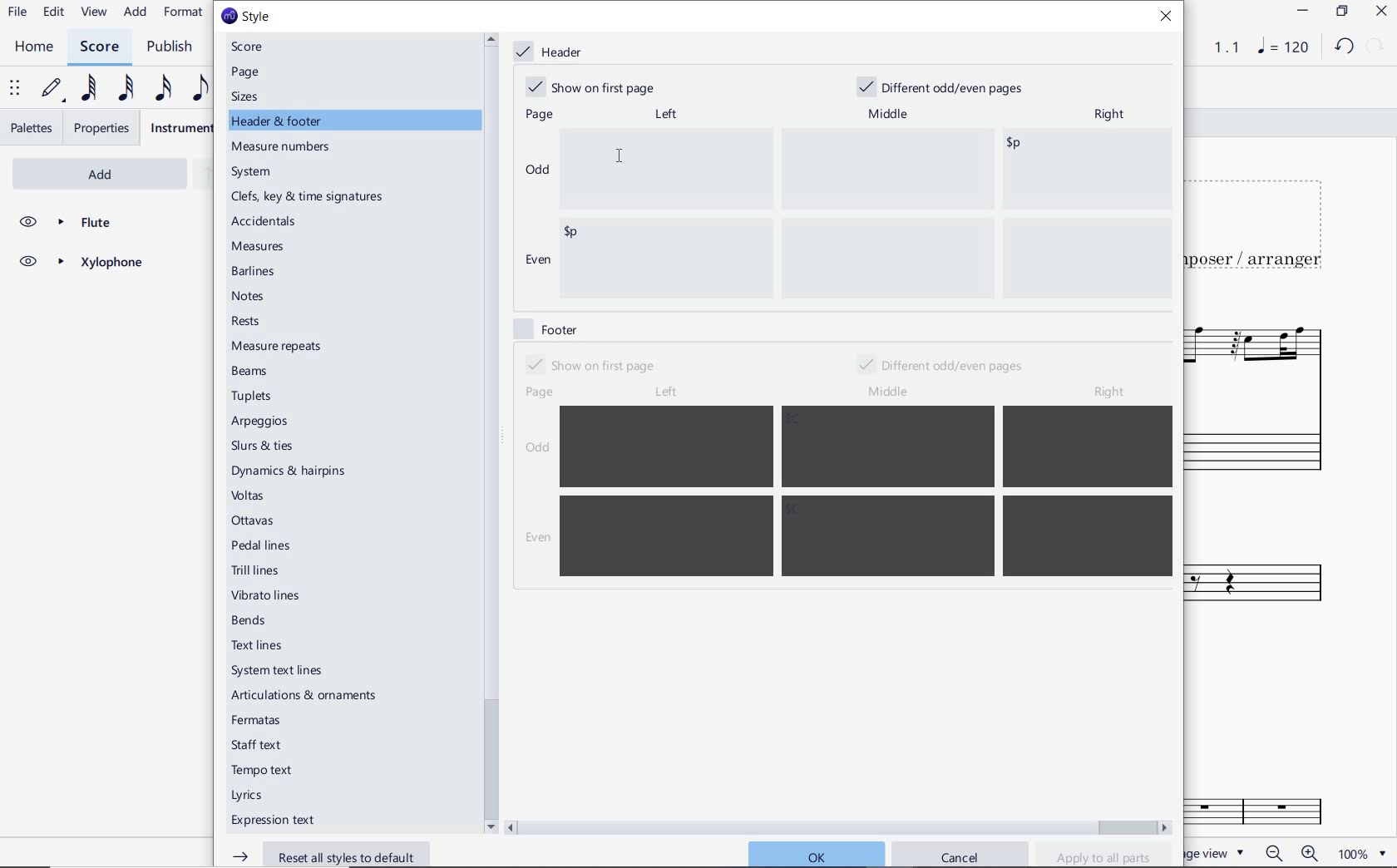  Describe the element at coordinates (1272, 588) in the screenshot. I see `Xylophone` at that location.